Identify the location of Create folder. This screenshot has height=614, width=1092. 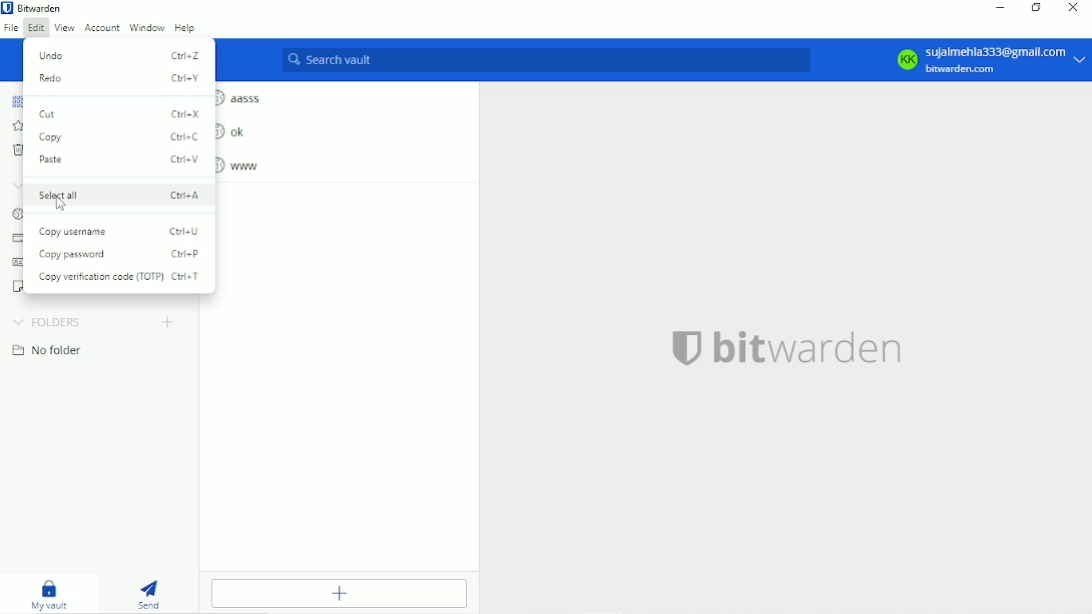
(167, 321).